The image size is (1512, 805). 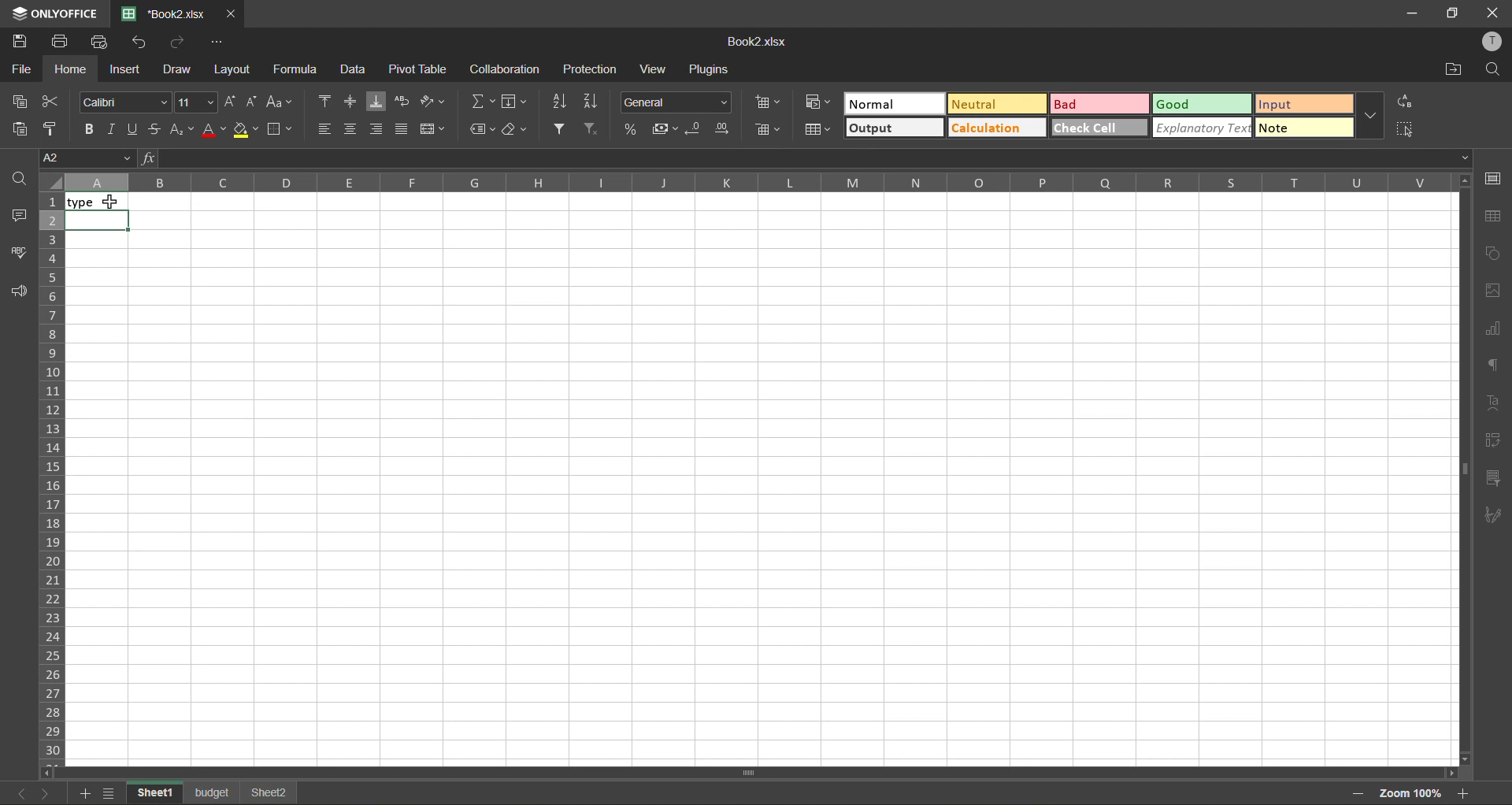 What do you see at coordinates (1494, 477) in the screenshot?
I see `slicer` at bounding box center [1494, 477].